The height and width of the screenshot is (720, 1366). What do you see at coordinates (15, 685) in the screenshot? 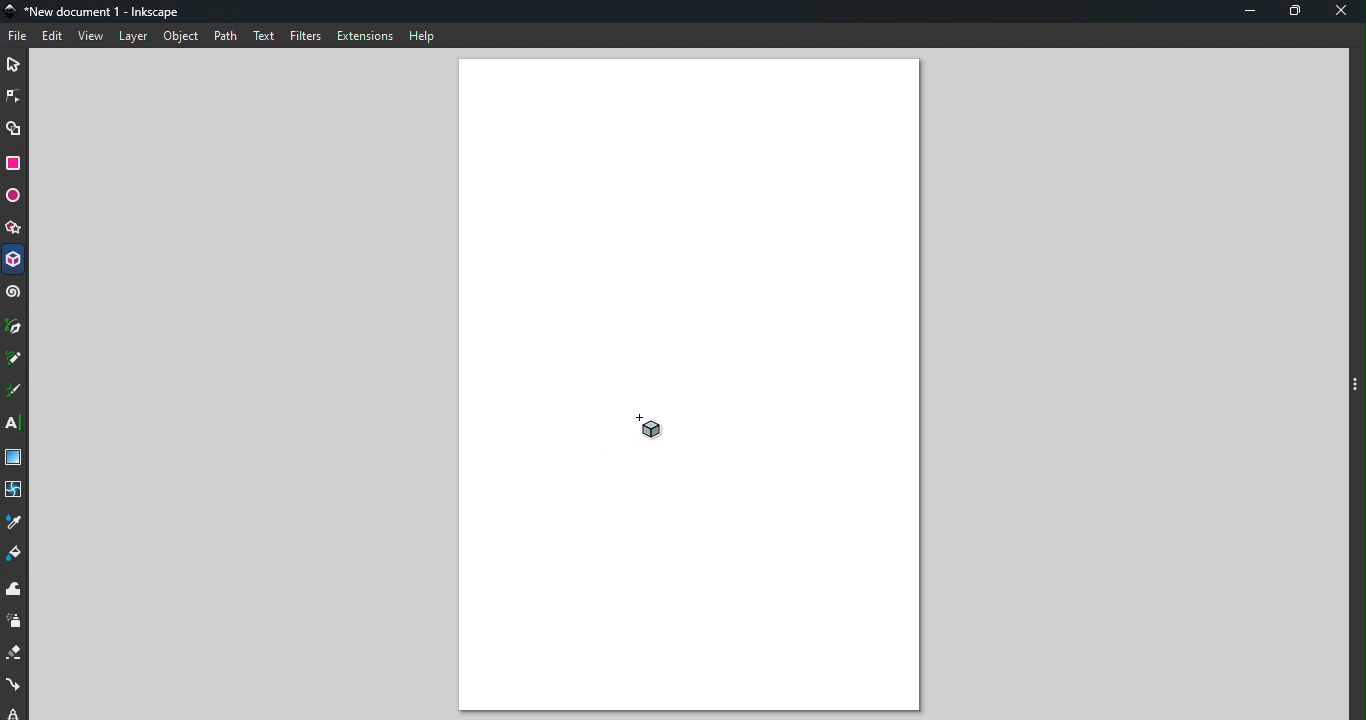
I see `Connector tool` at bounding box center [15, 685].